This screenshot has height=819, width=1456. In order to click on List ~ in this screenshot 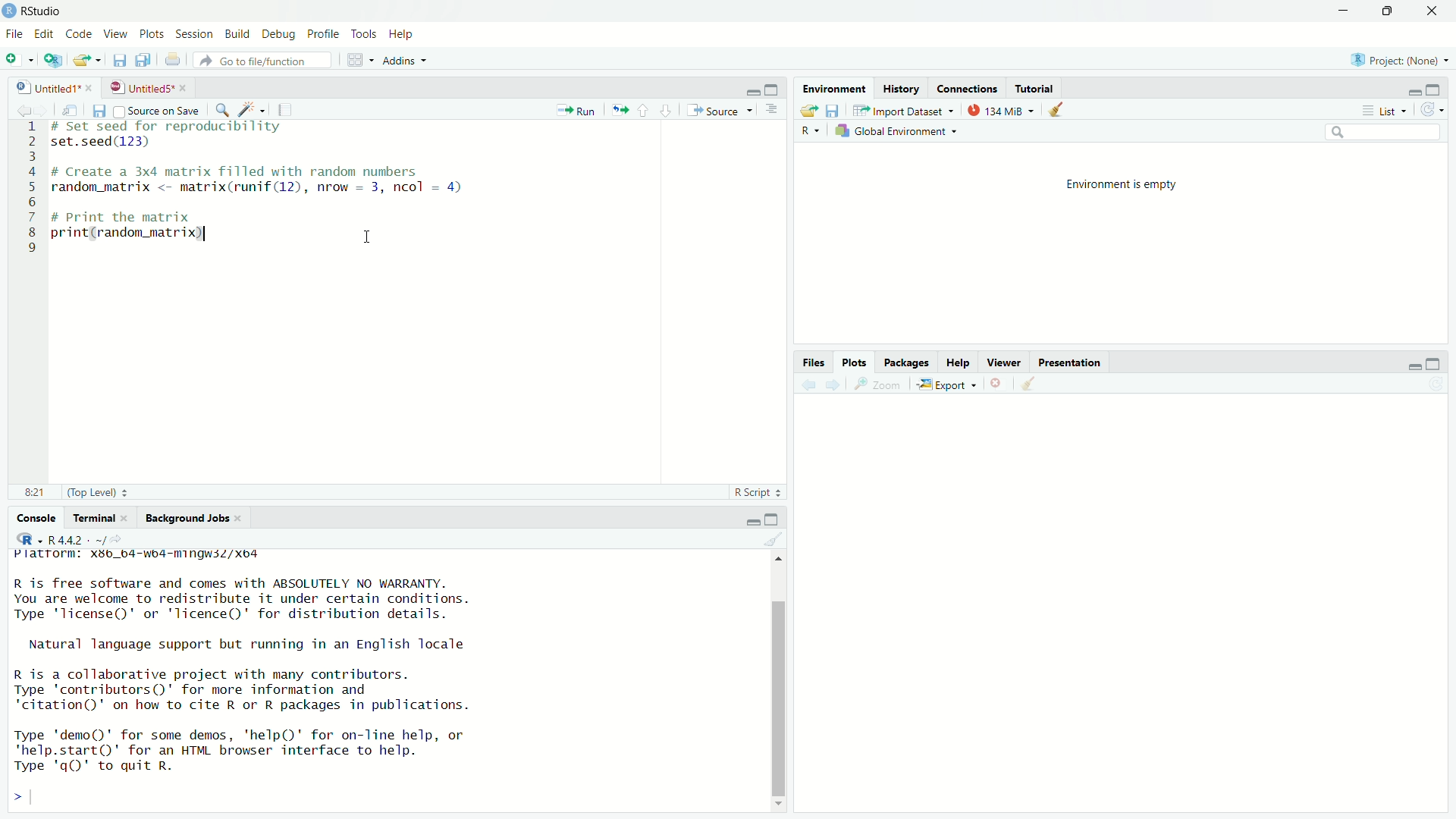, I will do `click(1382, 111)`.